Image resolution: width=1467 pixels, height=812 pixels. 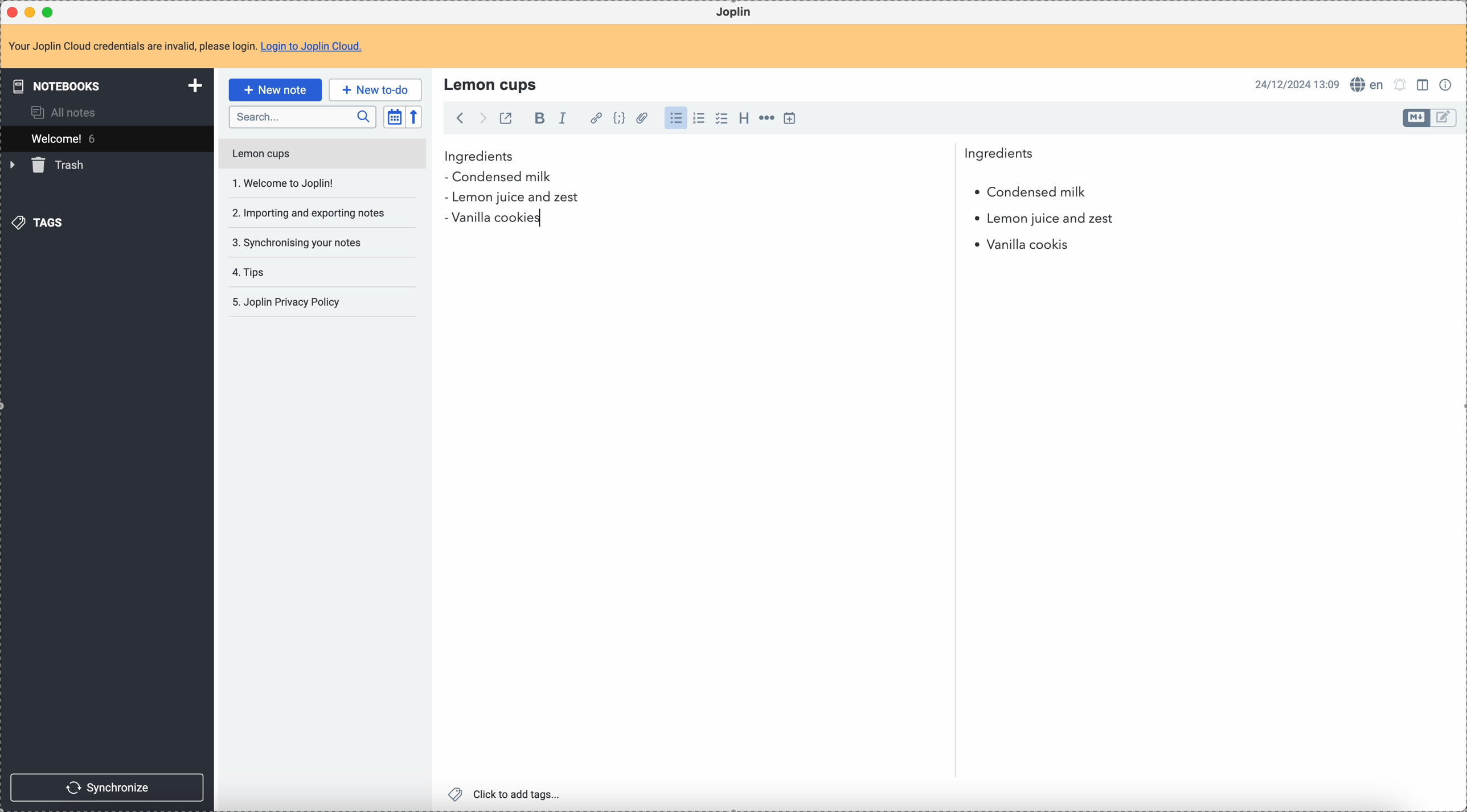 What do you see at coordinates (14, 13) in the screenshot?
I see `close` at bounding box center [14, 13].